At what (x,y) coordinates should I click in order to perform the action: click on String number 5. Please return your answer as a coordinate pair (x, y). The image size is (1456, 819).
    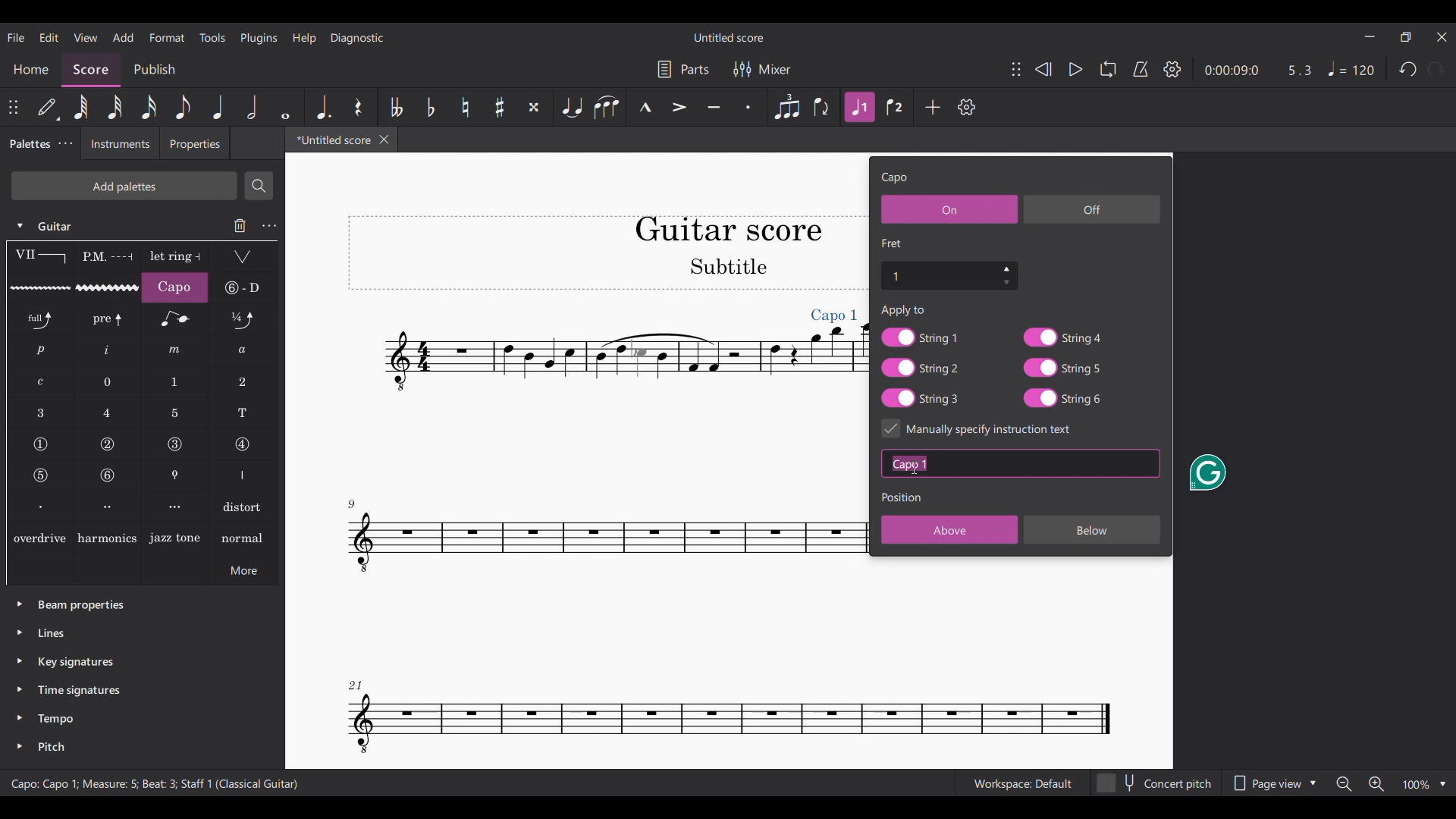
    Looking at the image, I should click on (41, 475).